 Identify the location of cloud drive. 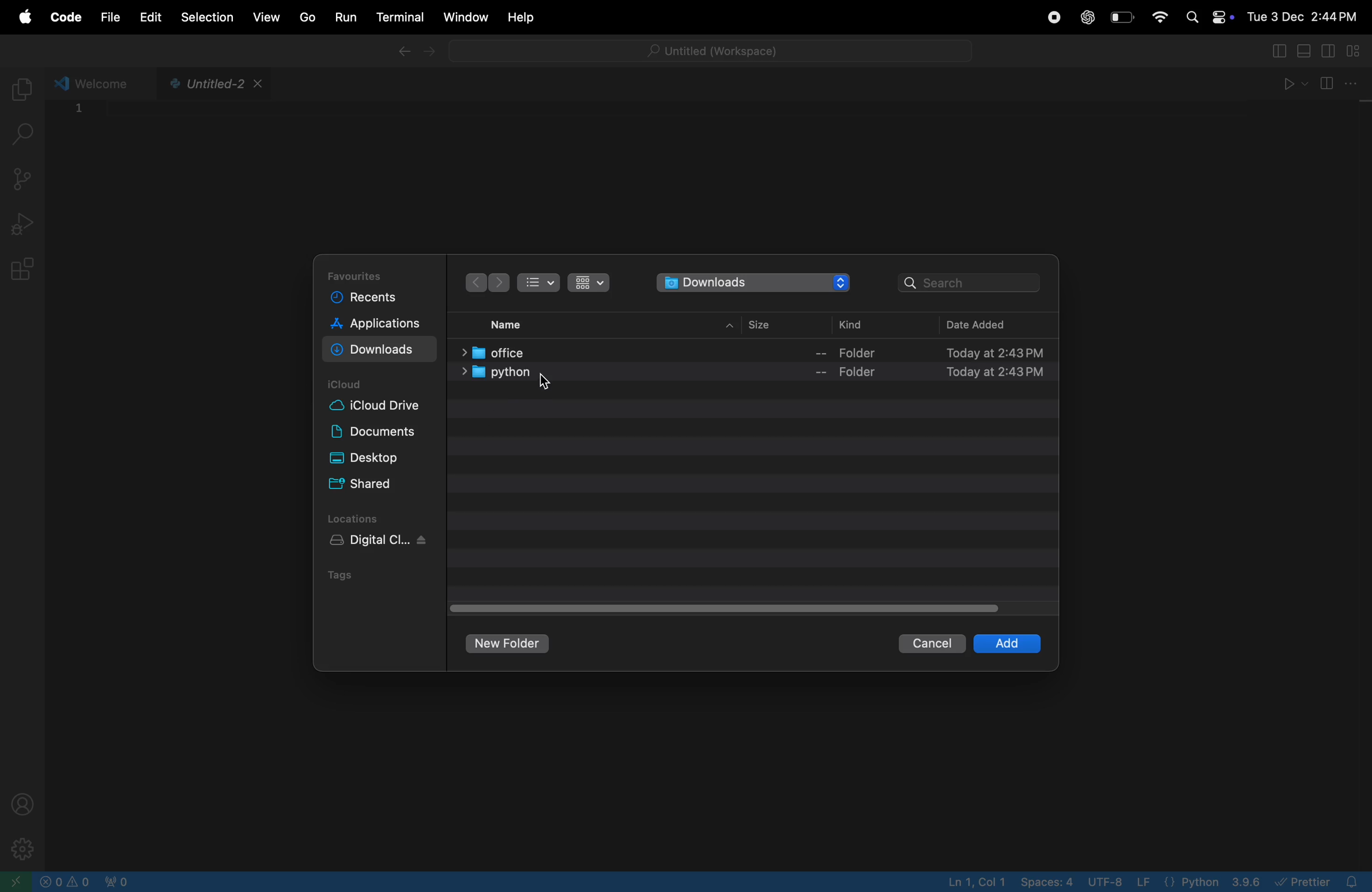
(378, 408).